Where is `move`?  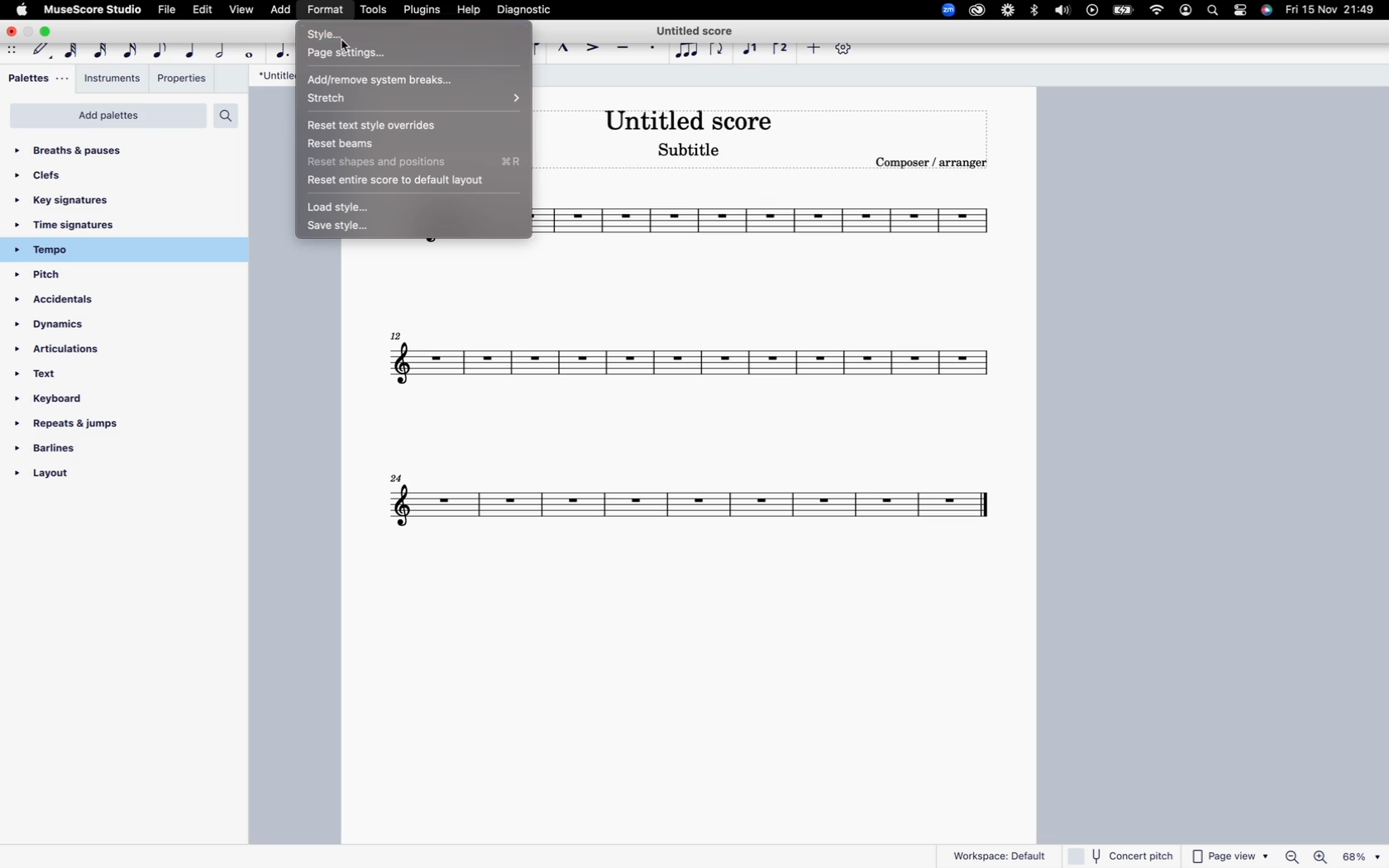 move is located at coordinates (13, 50).